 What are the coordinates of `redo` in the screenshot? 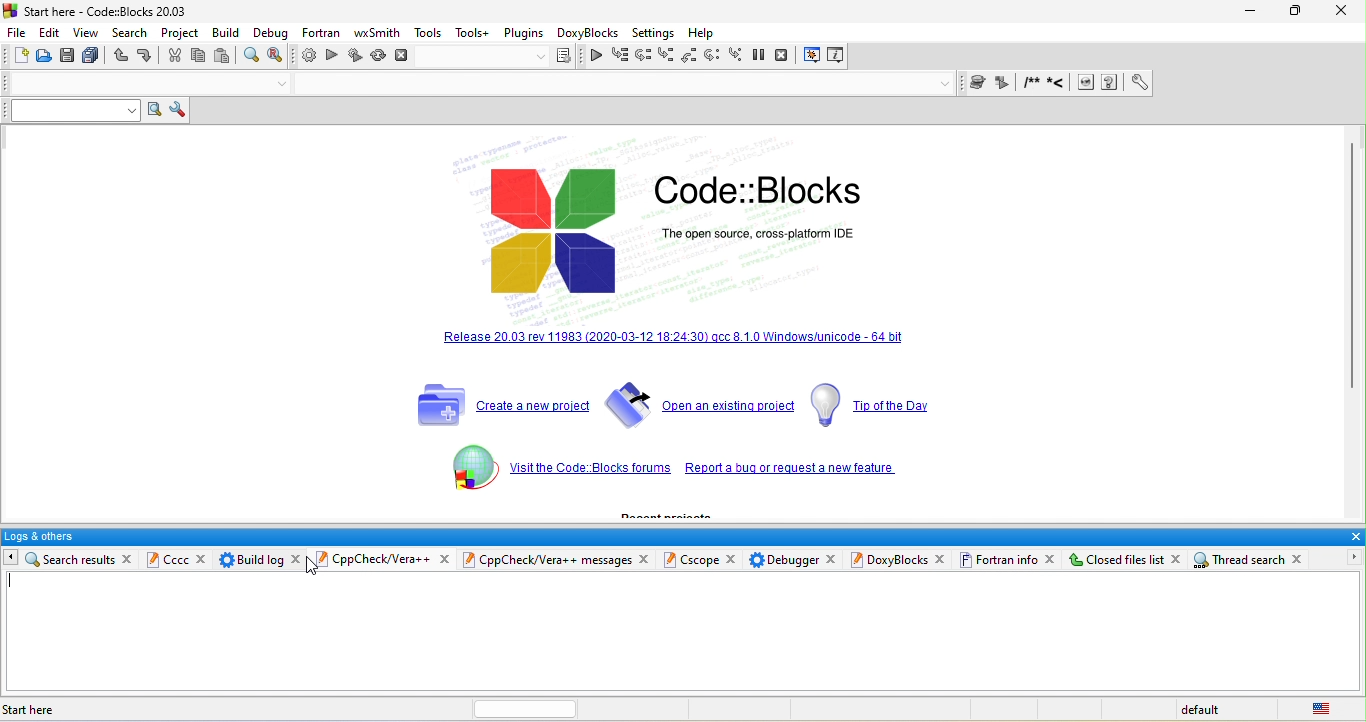 It's located at (148, 56).